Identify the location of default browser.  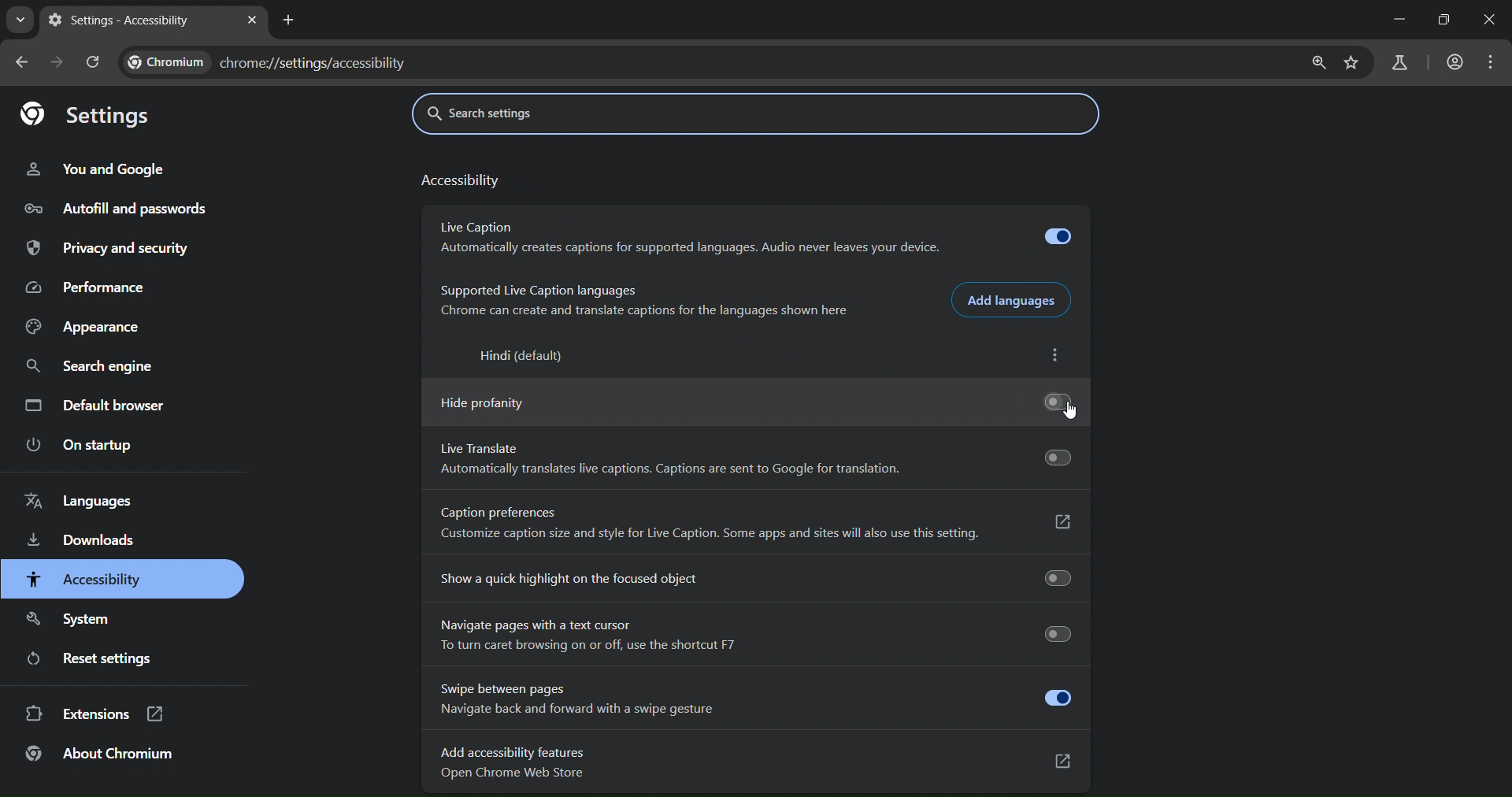
(106, 404).